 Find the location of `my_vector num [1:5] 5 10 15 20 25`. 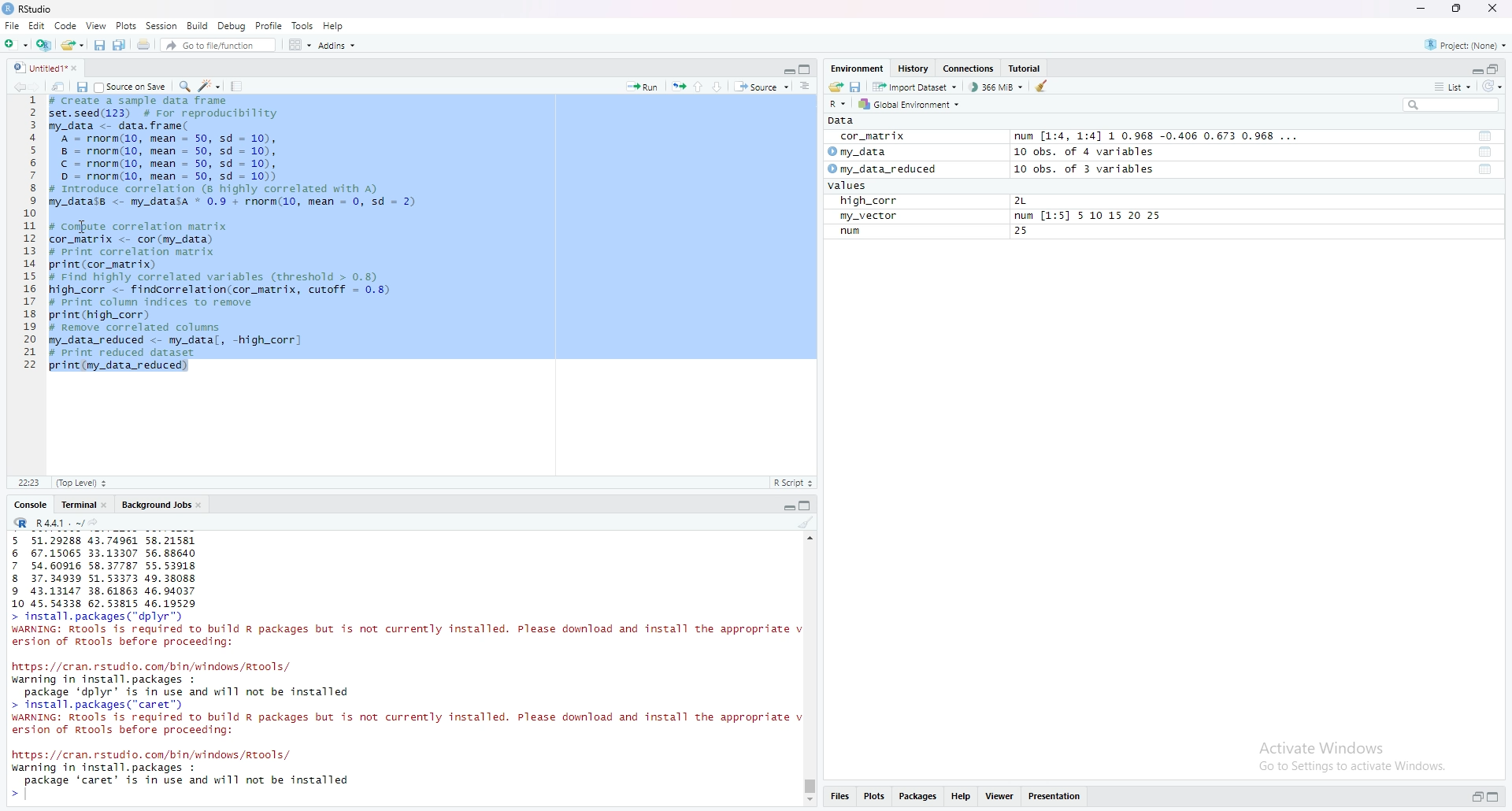

my_vector num [1:5] 5 10 15 20 25 is located at coordinates (1002, 217).